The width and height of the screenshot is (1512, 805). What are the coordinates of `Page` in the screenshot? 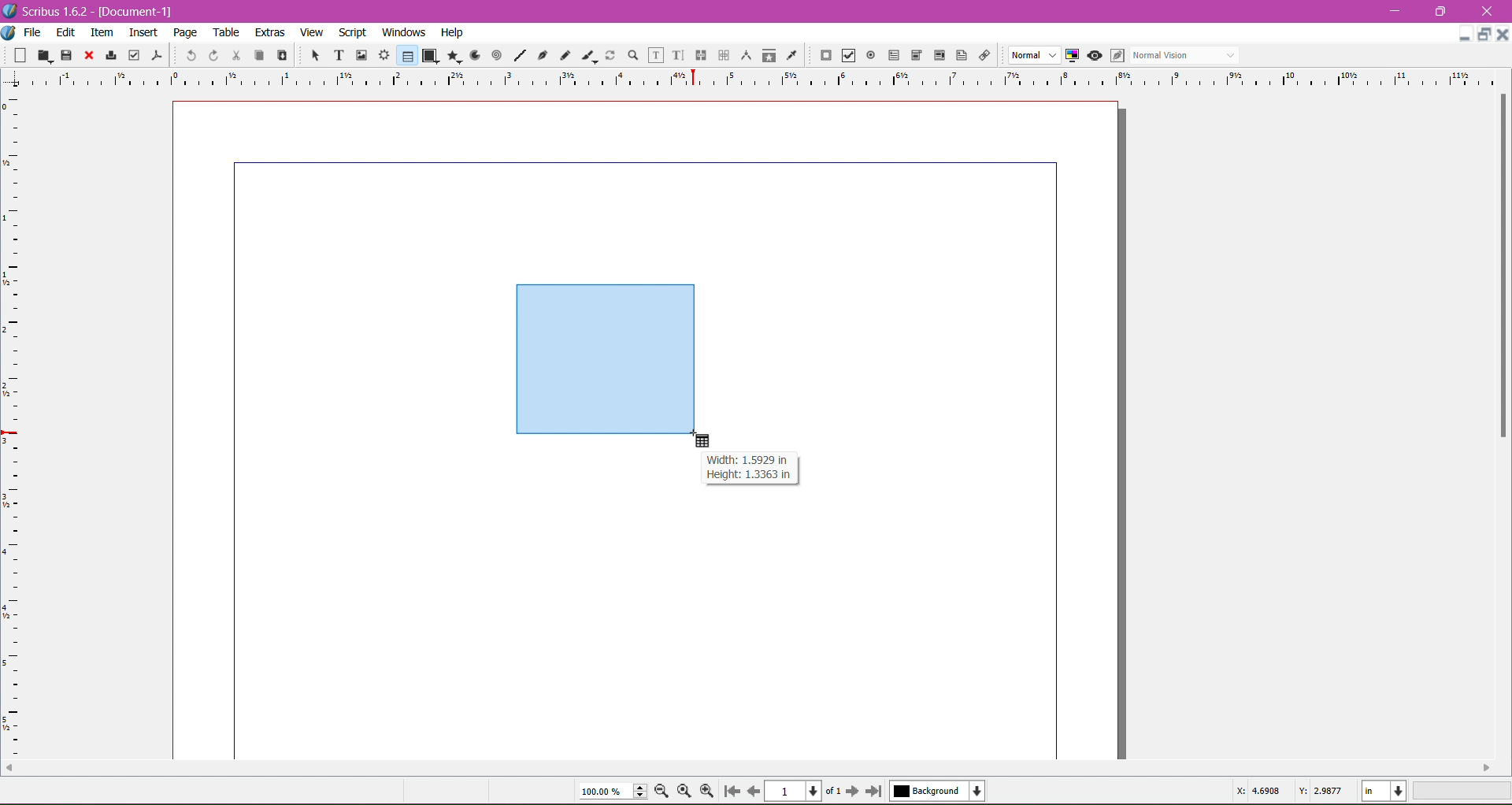 It's located at (183, 32).